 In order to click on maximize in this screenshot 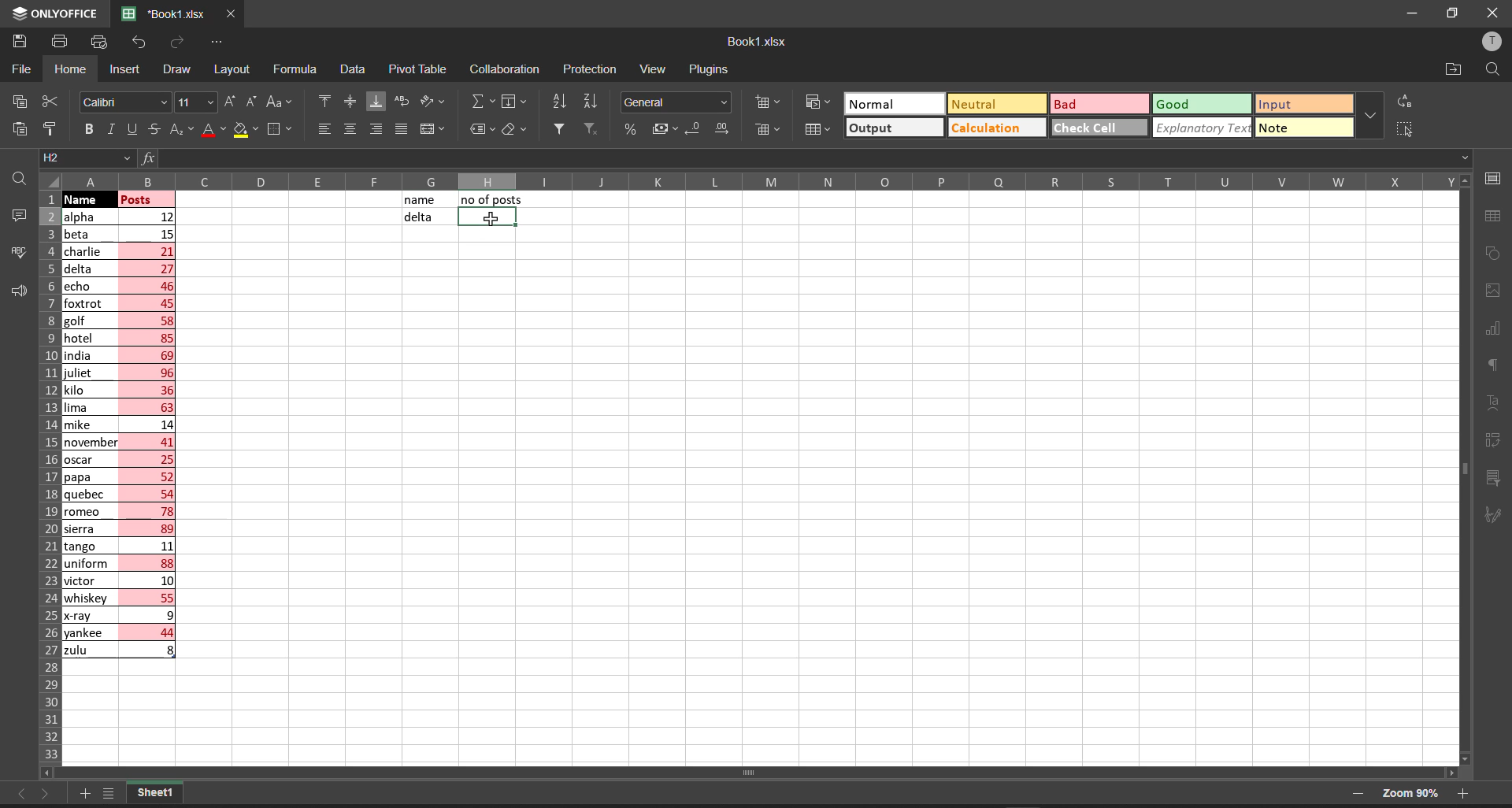, I will do `click(1455, 14)`.